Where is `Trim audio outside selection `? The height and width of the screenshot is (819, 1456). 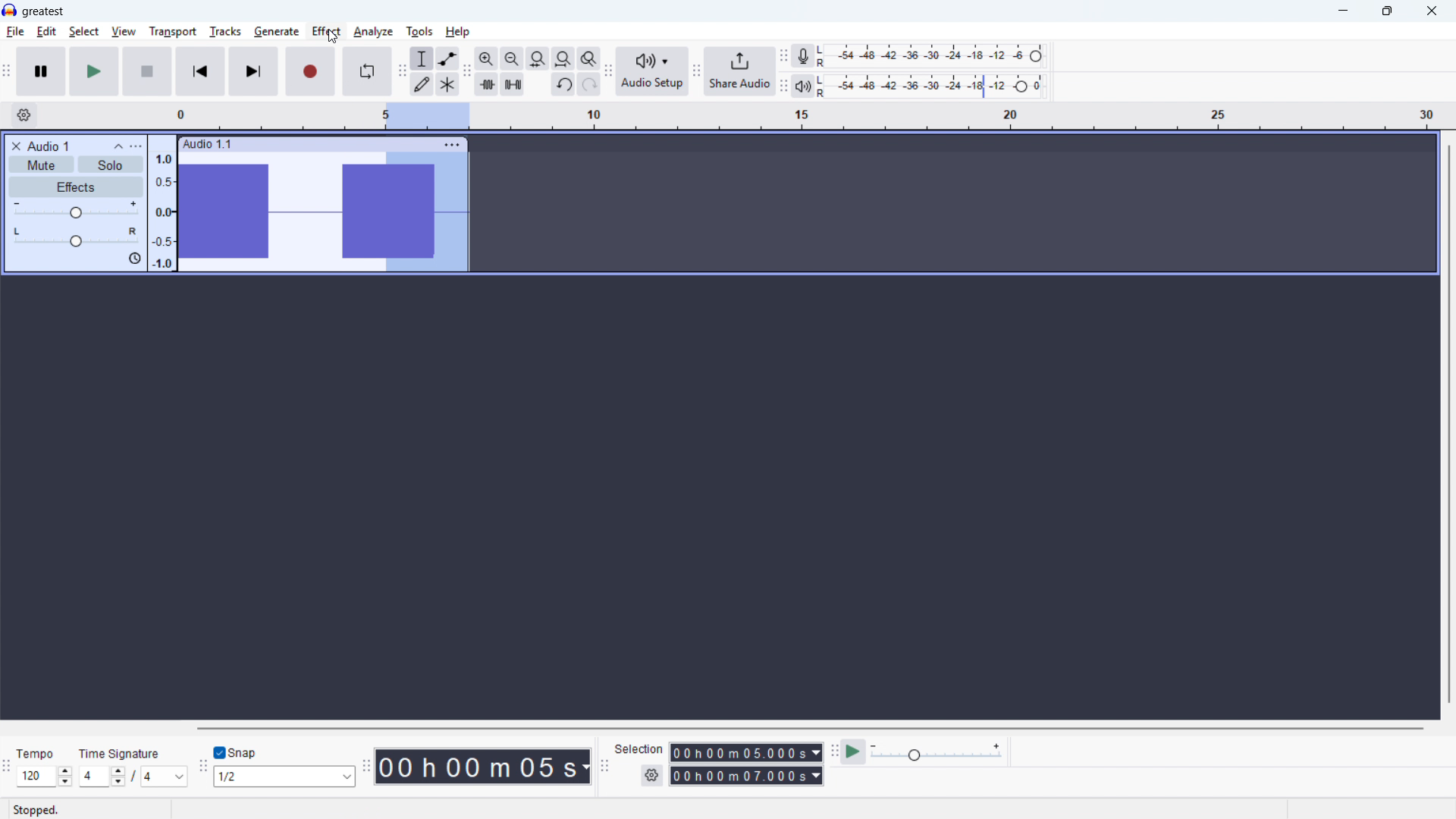 Trim audio outside selection  is located at coordinates (487, 85).